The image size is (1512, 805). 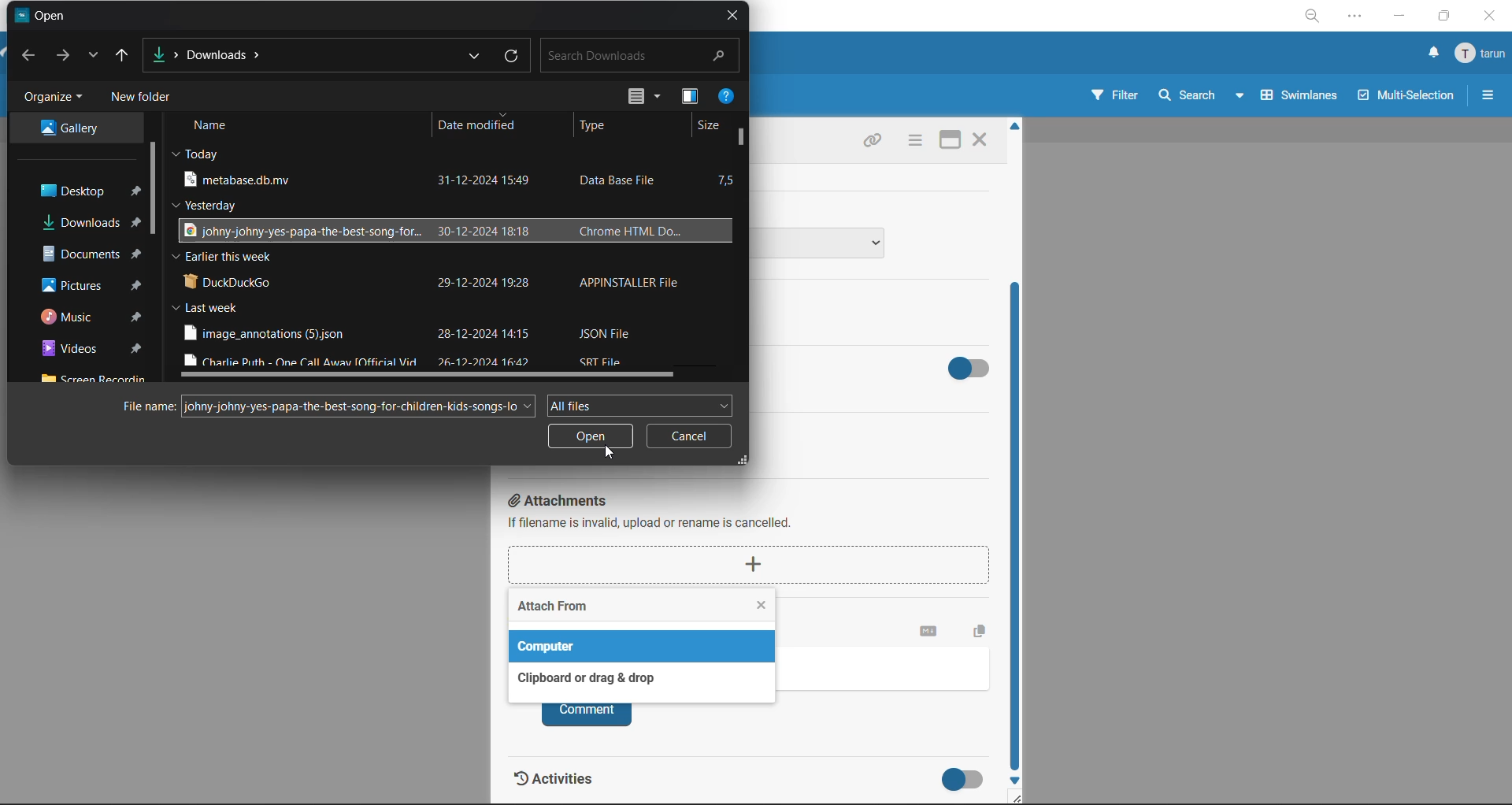 I want to click on file path, so click(x=216, y=50).